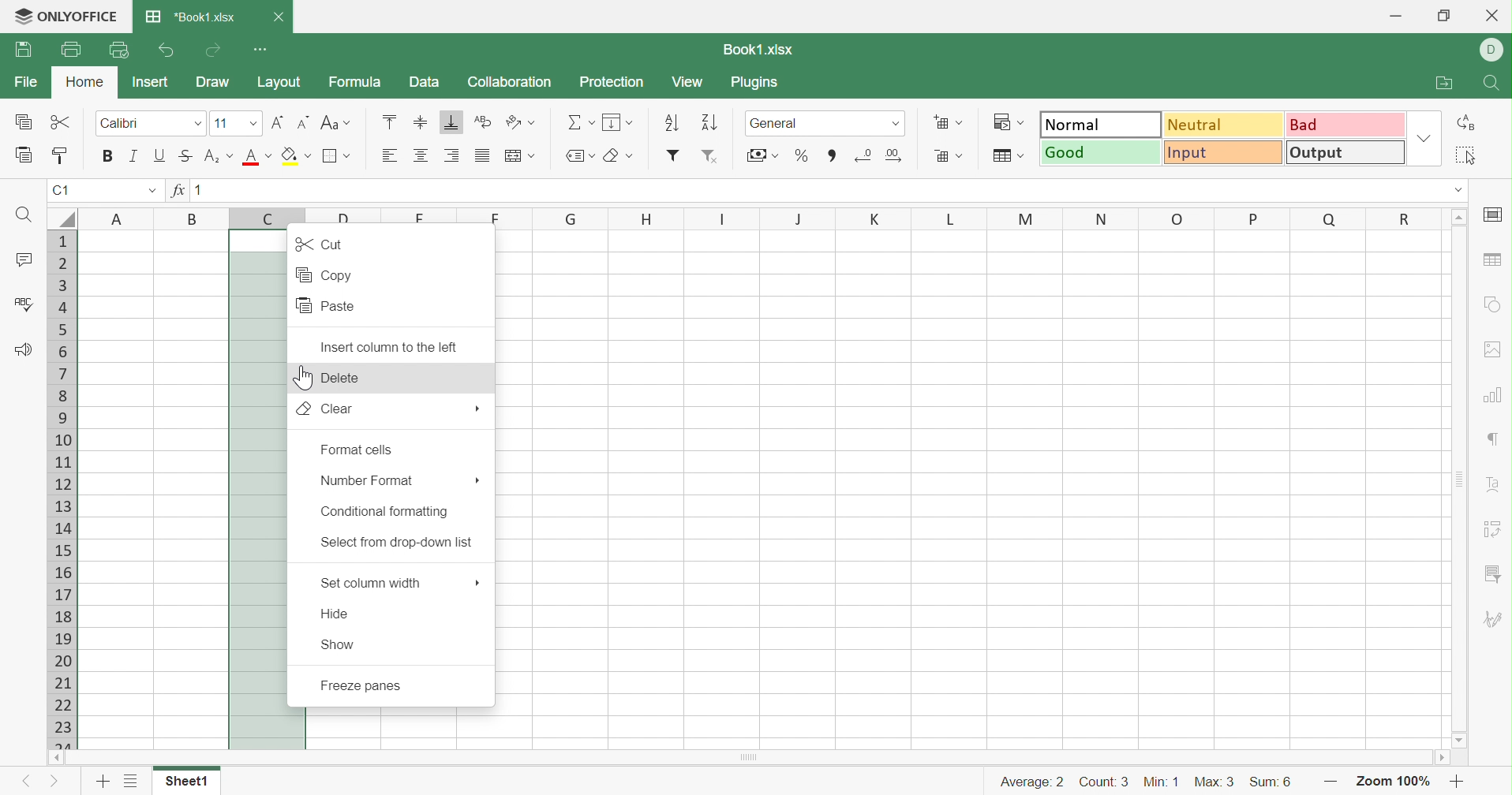  I want to click on General, so click(781, 125).